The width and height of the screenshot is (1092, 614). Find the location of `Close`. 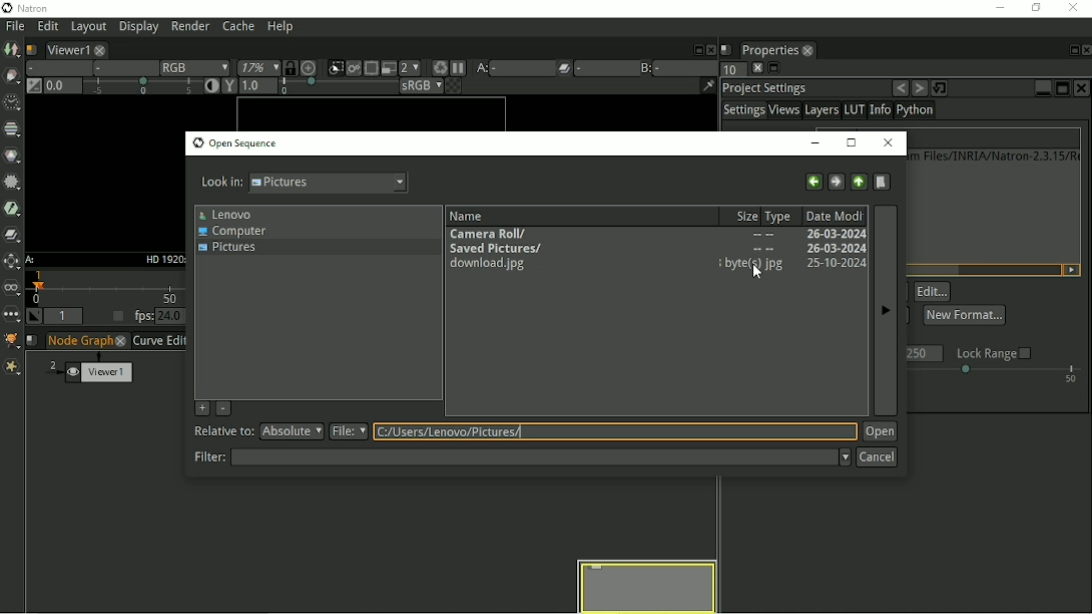

Close is located at coordinates (710, 48).